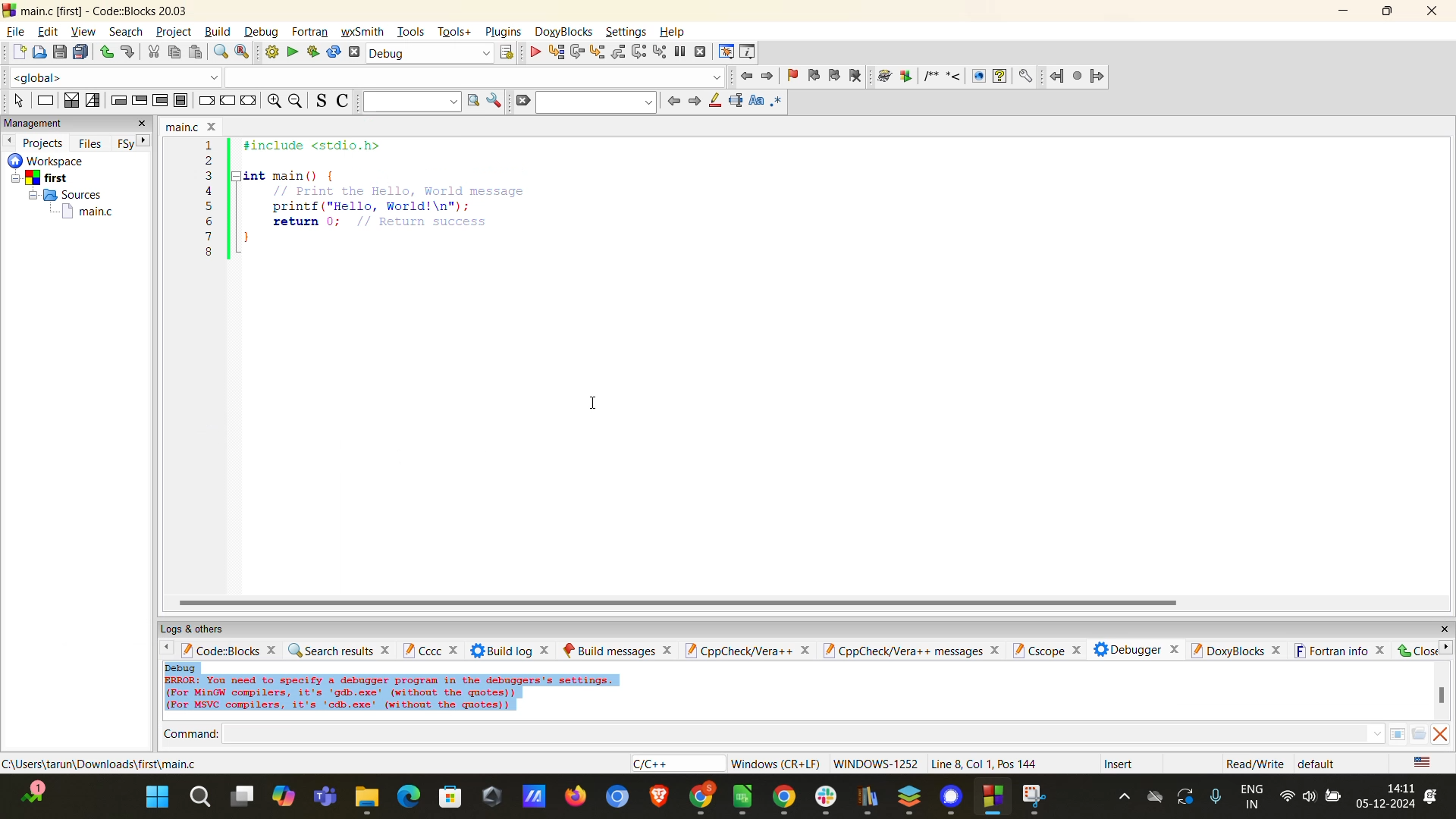 Image resolution: width=1456 pixels, height=819 pixels. Describe the element at coordinates (814, 77) in the screenshot. I see `previous bookmark` at that location.